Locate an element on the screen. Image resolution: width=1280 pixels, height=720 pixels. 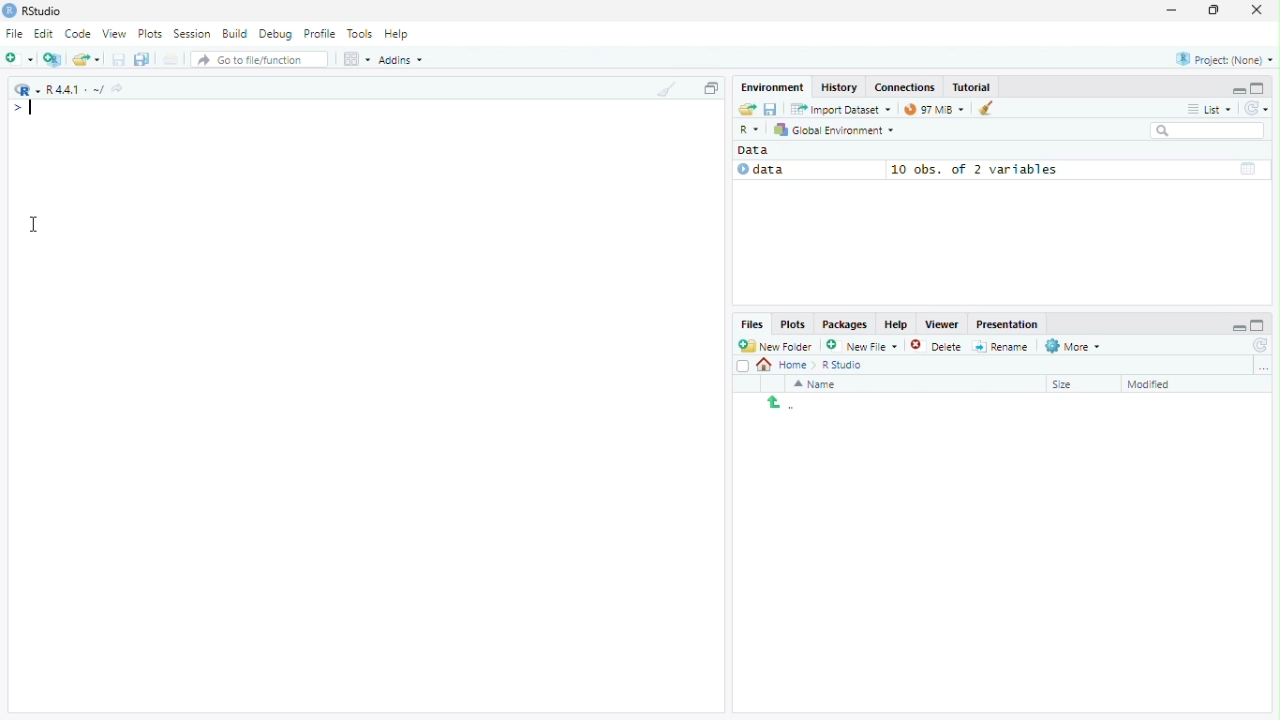
Maximize is located at coordinates (711, 88).